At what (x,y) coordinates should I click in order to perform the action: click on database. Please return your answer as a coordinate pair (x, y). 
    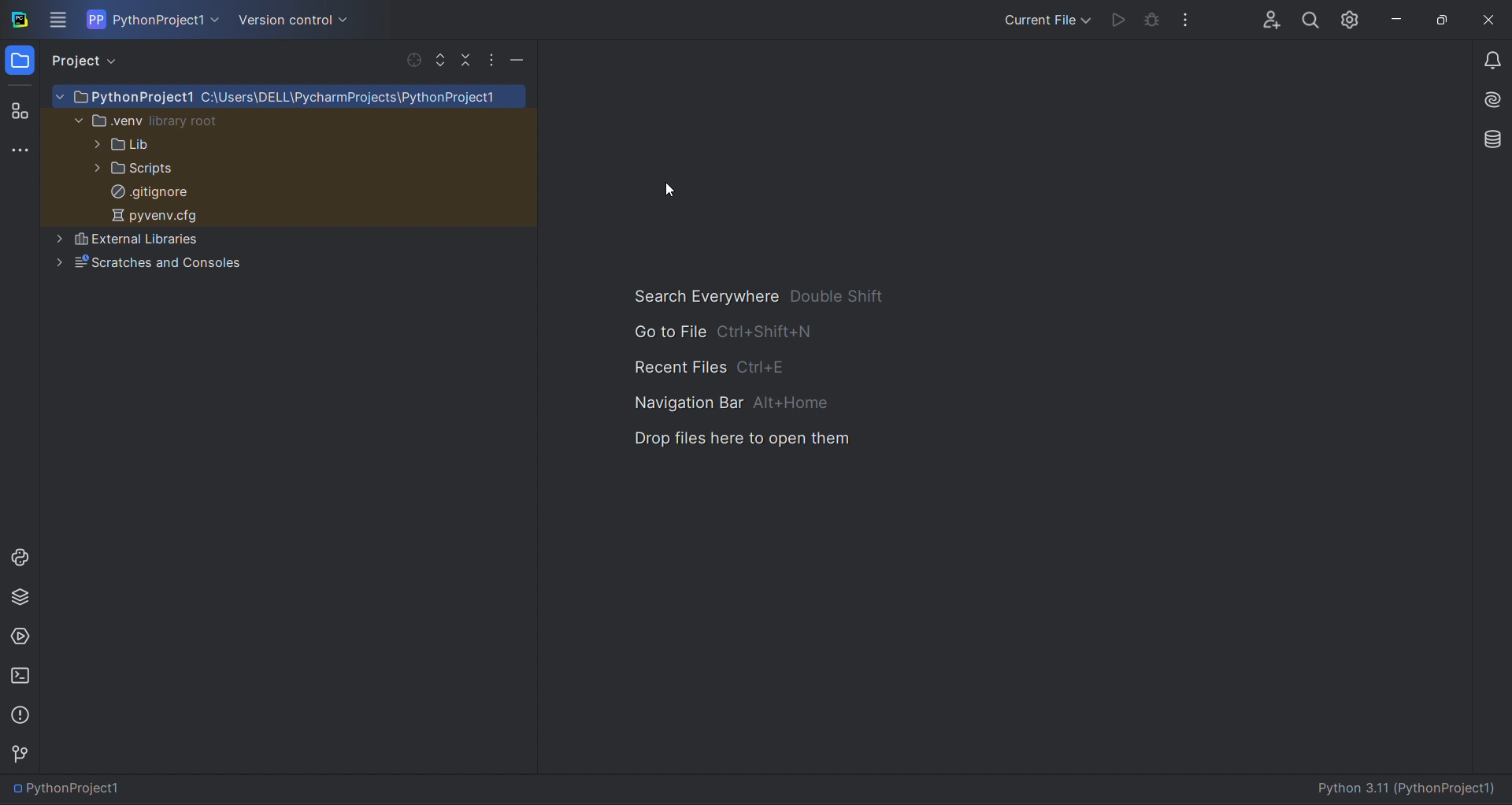
    Looking at the image, I should click on (1489, 138).